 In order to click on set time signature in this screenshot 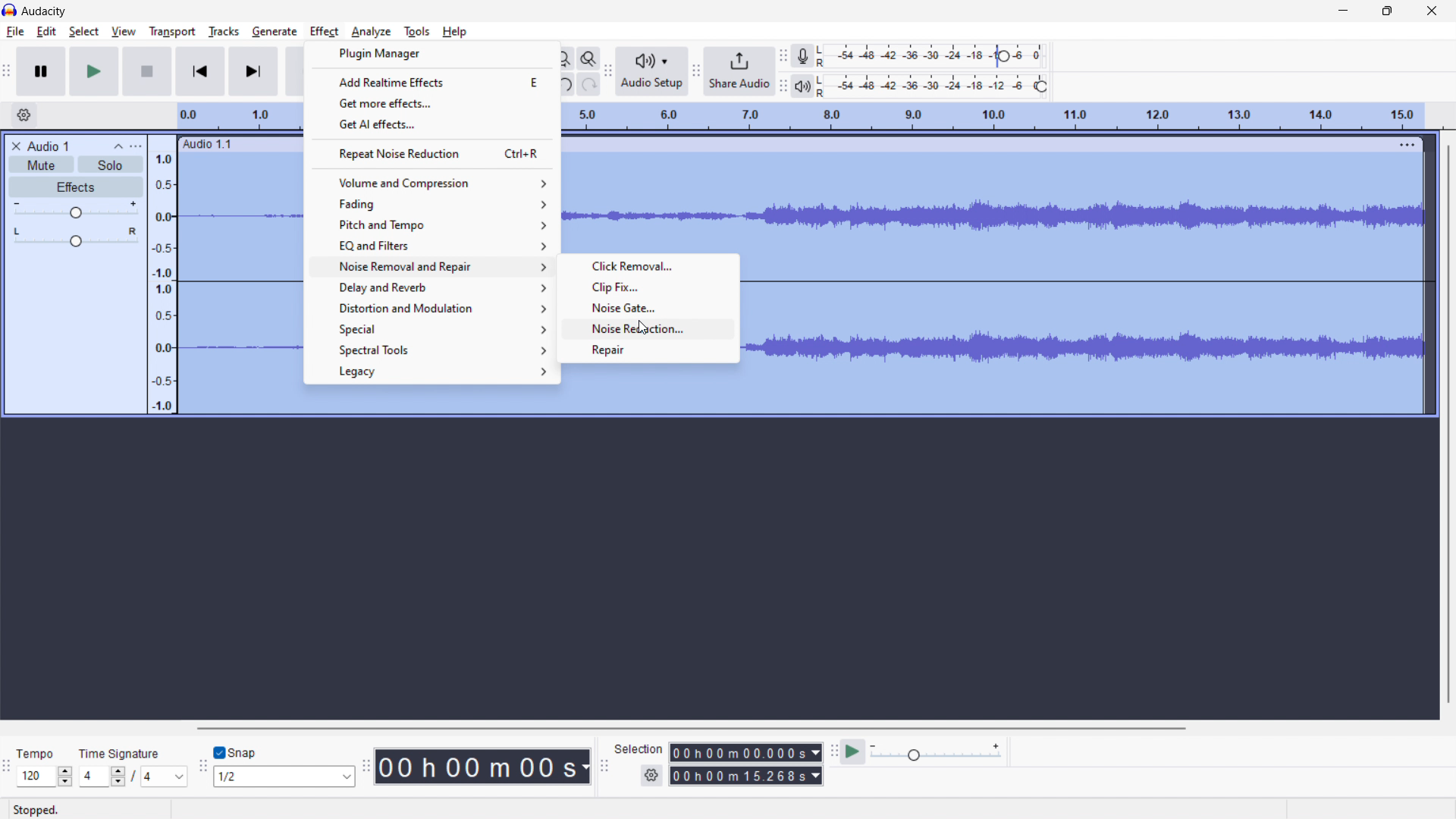, I will do `click(133, 767)`.